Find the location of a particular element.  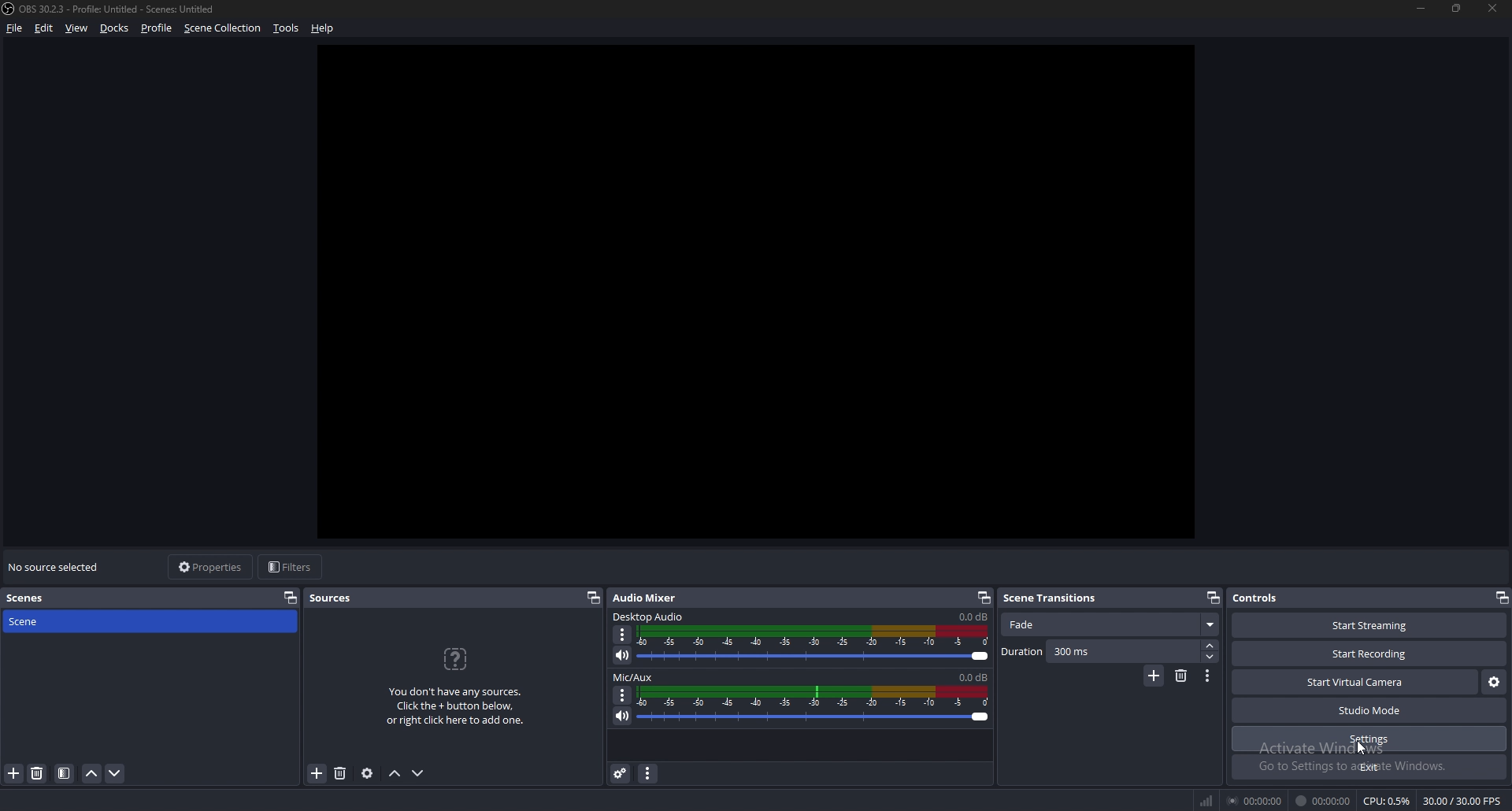

start virtual camera is located at coordinates (1356, 683).